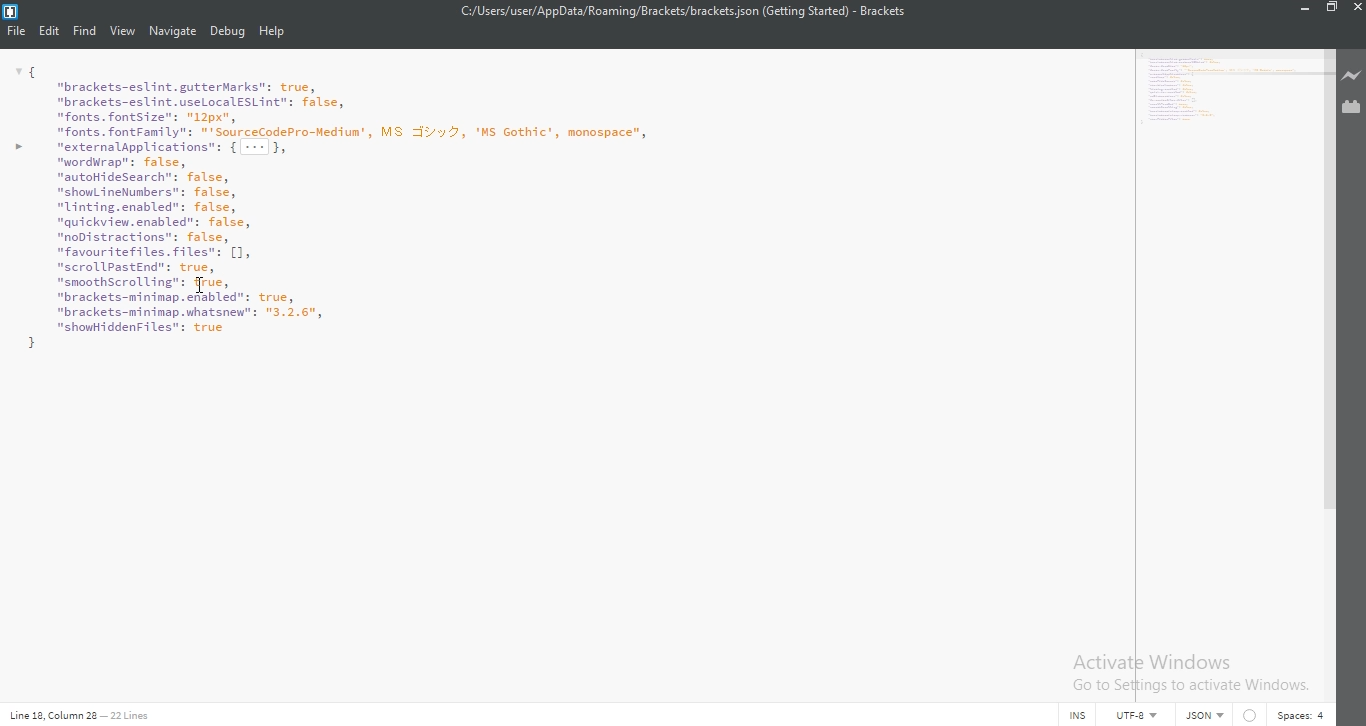 The height and width of the screenshot is (726, 1366). What do you see at coordinates (1300, 9) in the screenshot?
I see `Minimize` at bounding box center [1300, 9].